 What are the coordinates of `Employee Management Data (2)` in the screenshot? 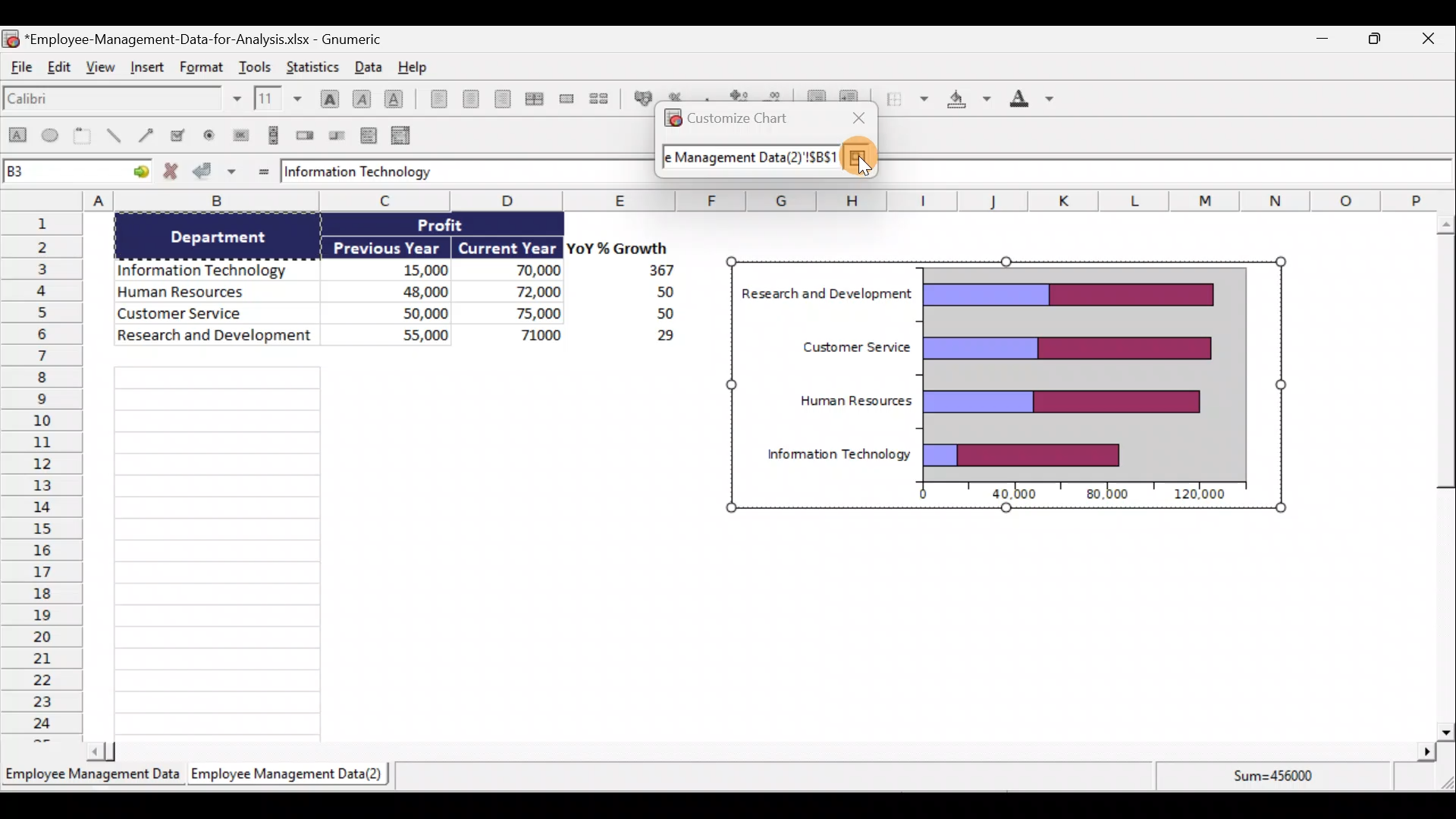 It's located at (290, 773).